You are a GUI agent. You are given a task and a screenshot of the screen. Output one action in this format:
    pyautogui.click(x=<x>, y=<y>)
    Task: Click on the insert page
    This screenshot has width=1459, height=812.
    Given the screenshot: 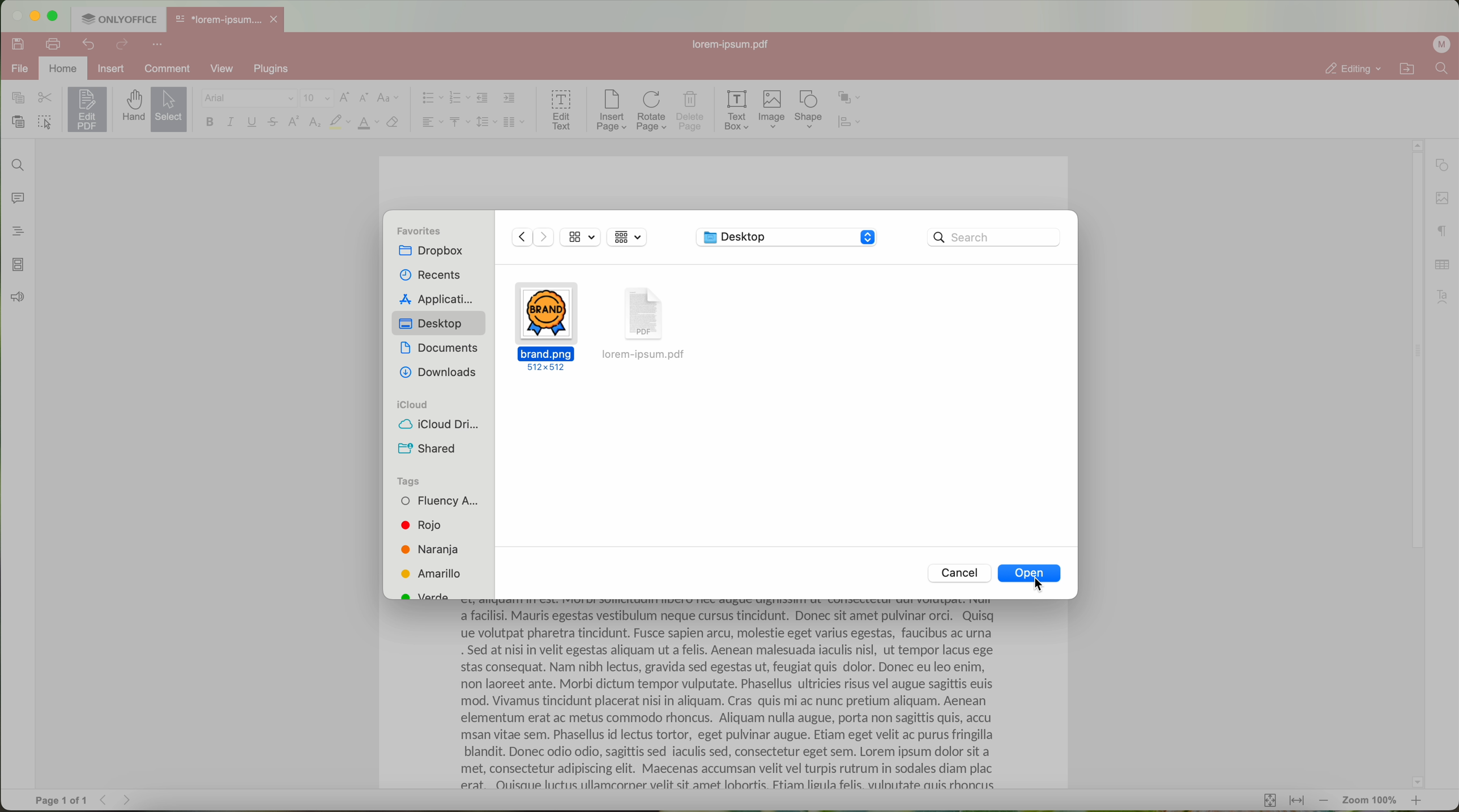 What is the action you would take?
    pyautogui.click(x=611, y=110)
    